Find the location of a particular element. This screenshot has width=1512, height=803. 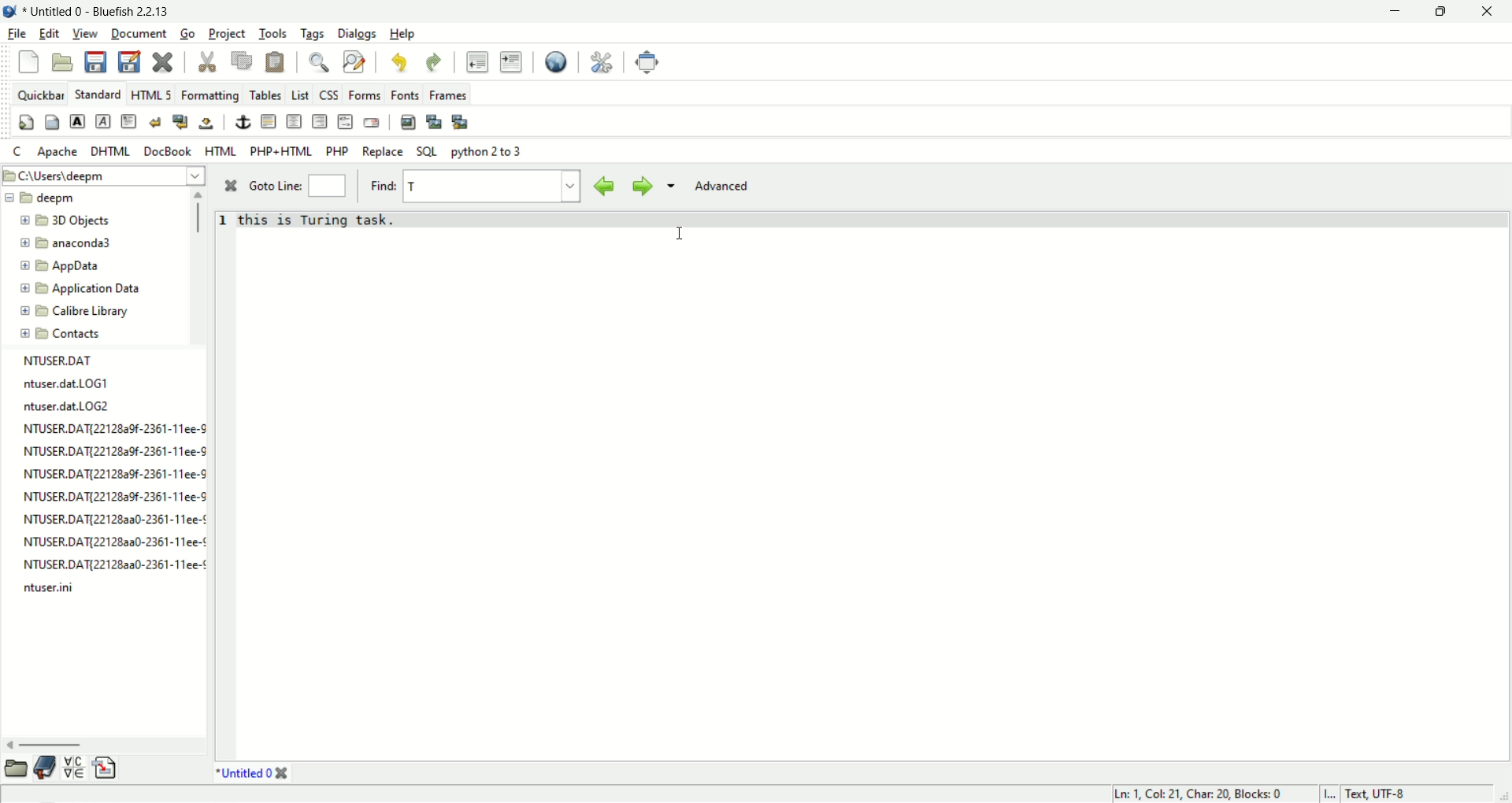

Ln: 1, Col: 21, Char: 20, Blocks: 0 is located at coordinates (1195, 791).